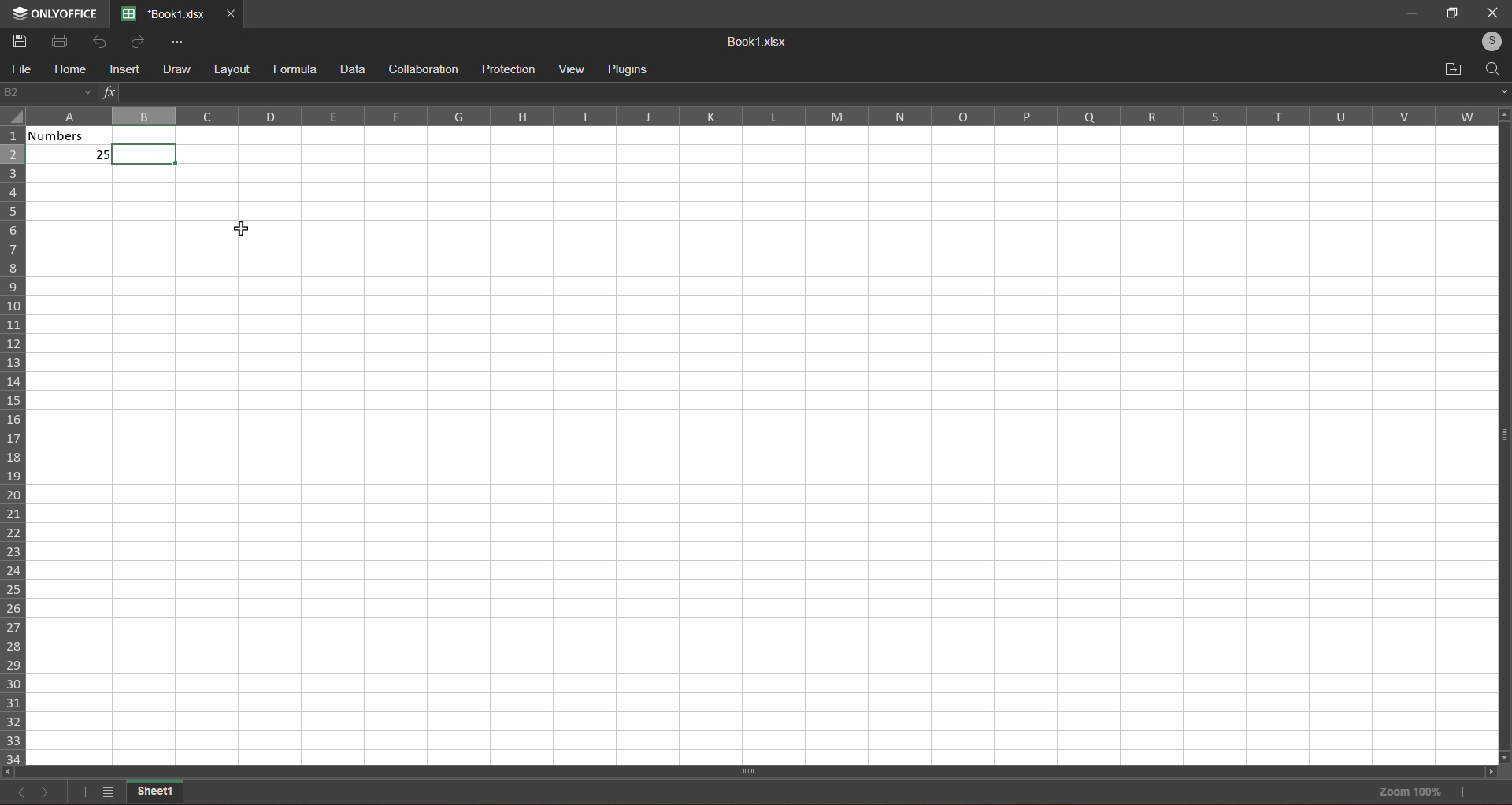 The image size is (1512, 805). What do you see at coordinates (1491, 13) in the screenshot?
I see `close` at bounding box center [1491, 13].